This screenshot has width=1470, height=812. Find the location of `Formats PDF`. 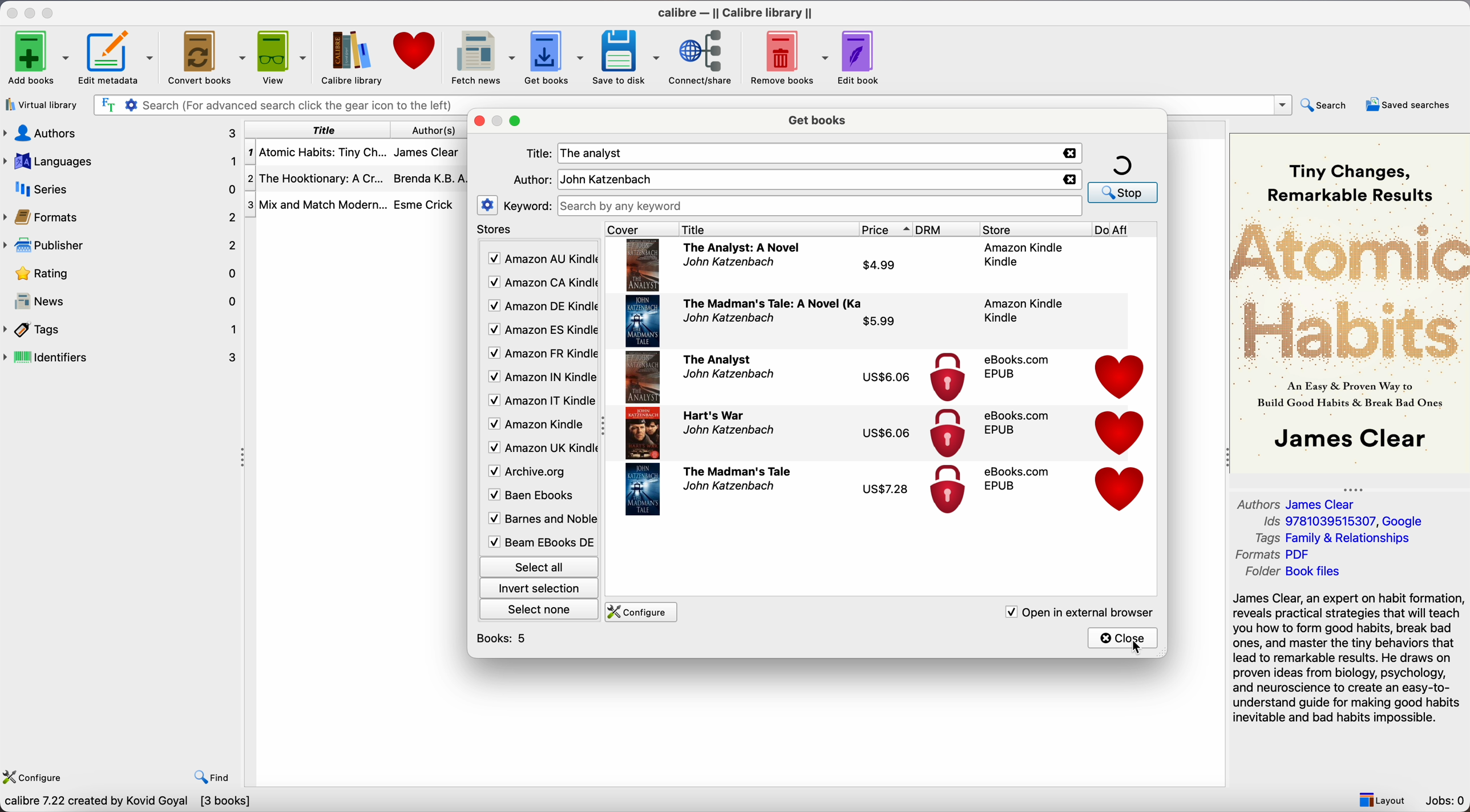

Formats PDF is located at coordinates (1283, 555).